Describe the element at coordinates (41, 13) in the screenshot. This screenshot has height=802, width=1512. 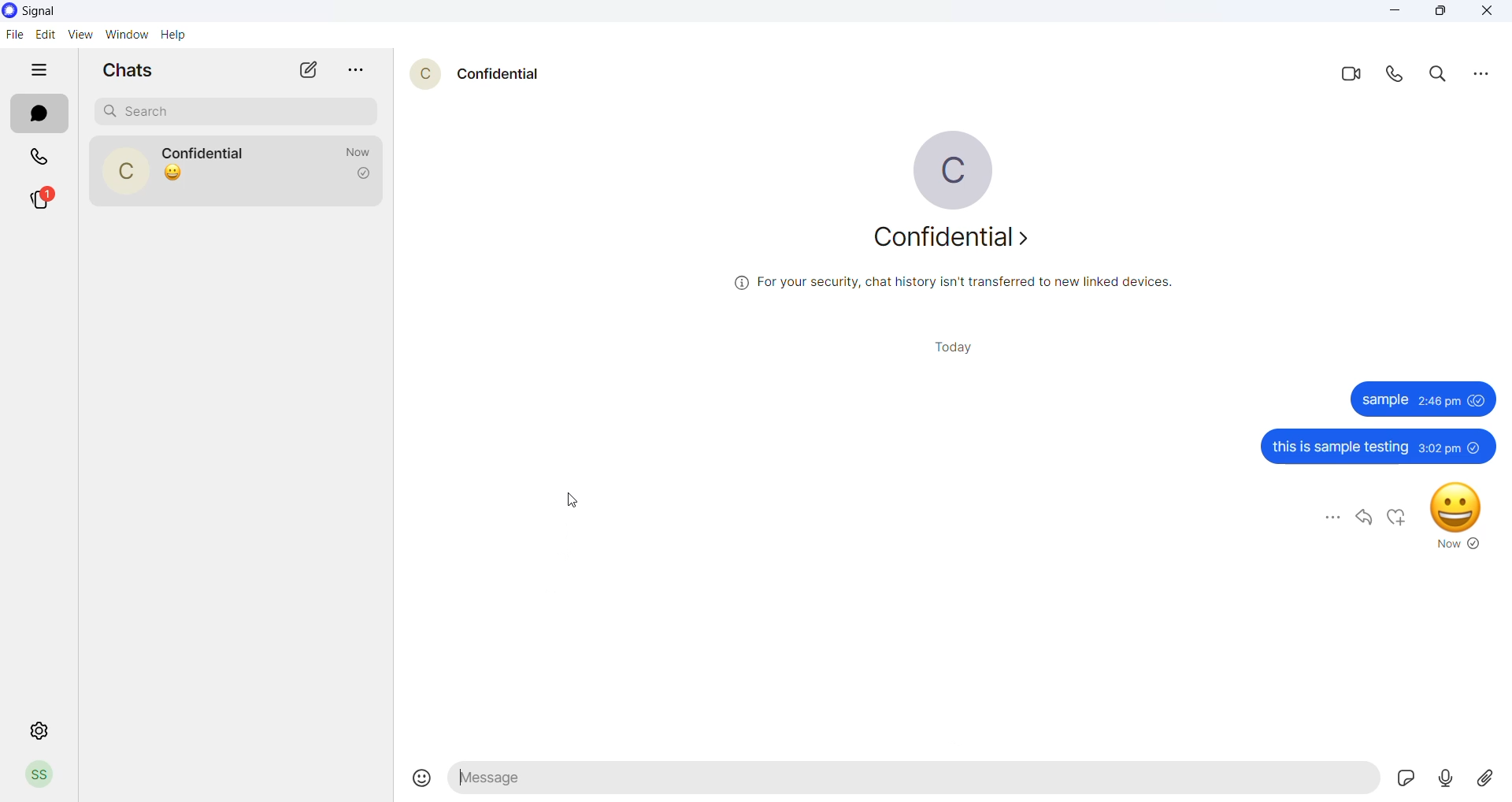
I see `application name and logo` at that location.